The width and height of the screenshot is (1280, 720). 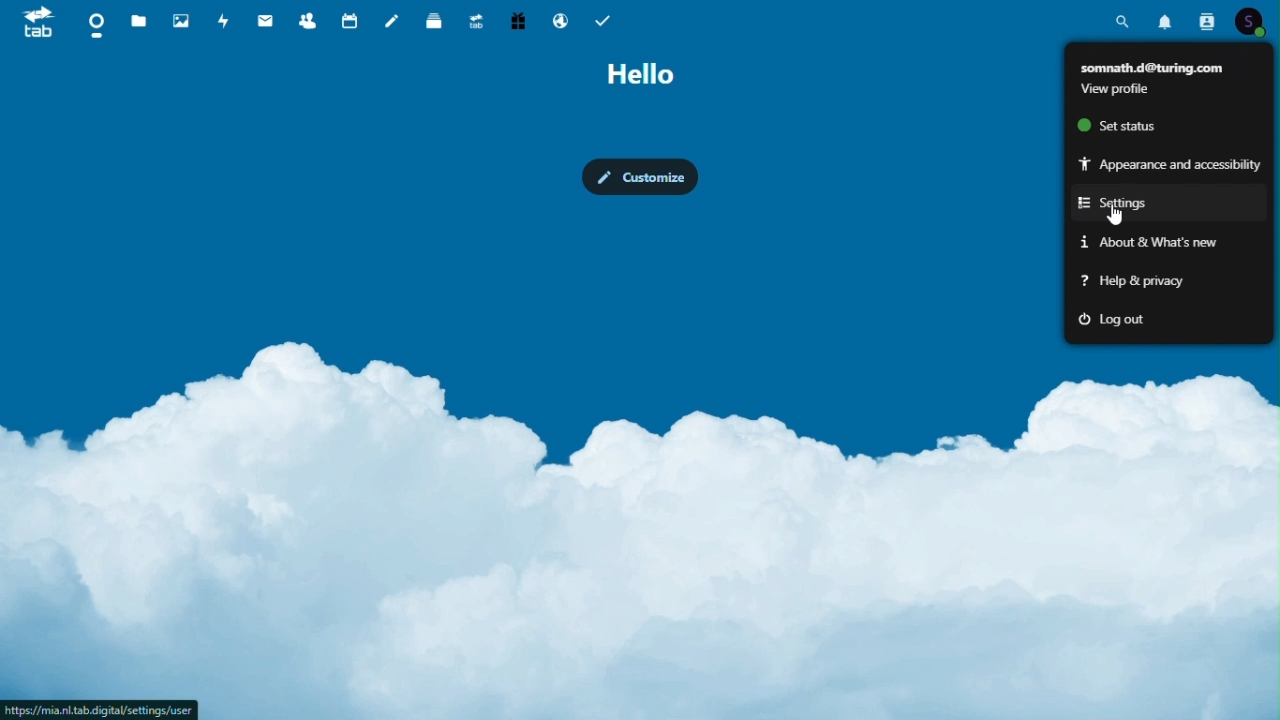 I want to click on Activity, so click(x=224, y=19).